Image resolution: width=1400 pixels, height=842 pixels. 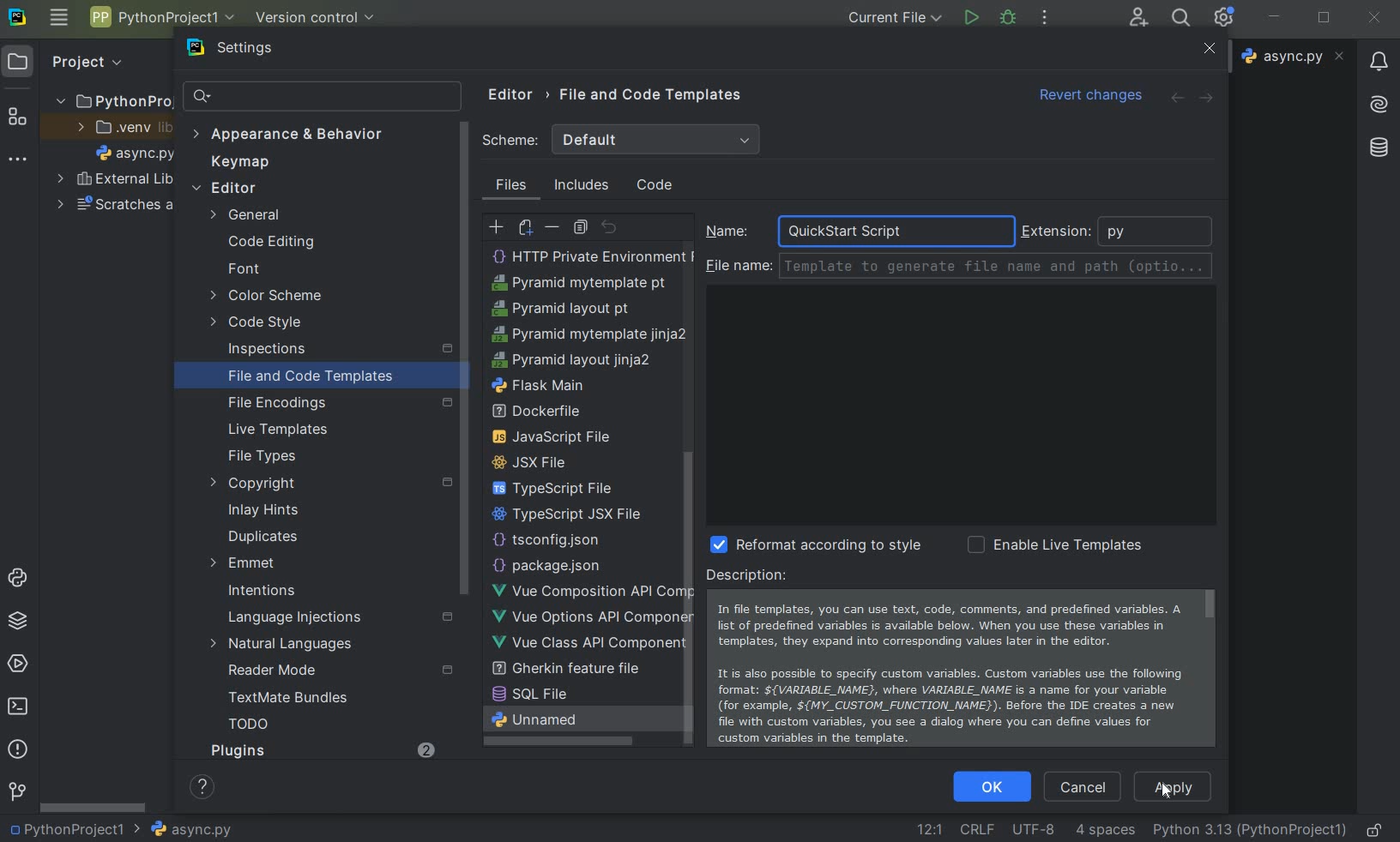 What do you see at coordinates (329, 375) in the screenshot?
I see `file and code templates` at bounding box center [329, 375].